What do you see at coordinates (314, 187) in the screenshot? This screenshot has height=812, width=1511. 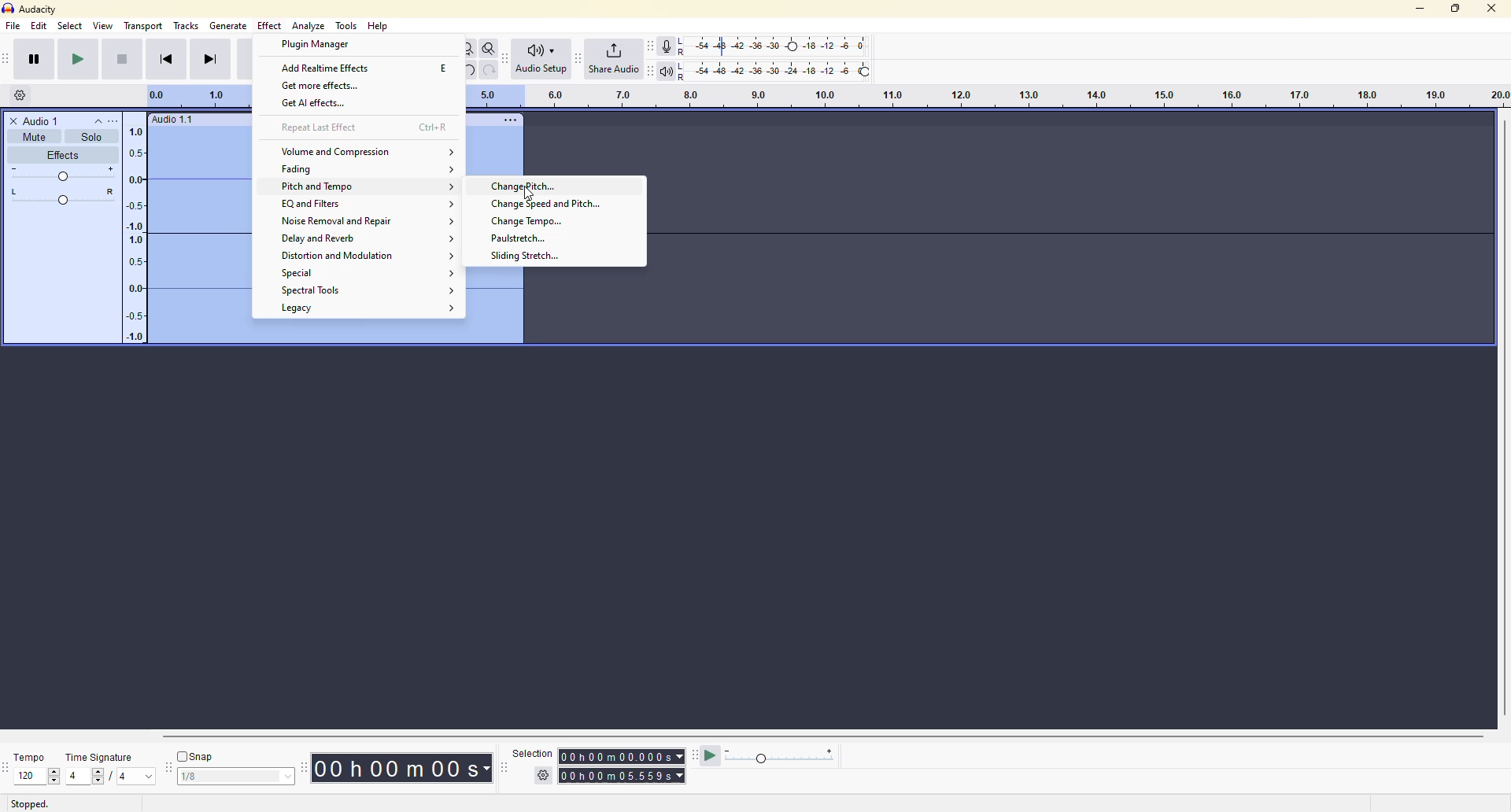 I see `pitch and tempo` at bounding box center [314, 187].